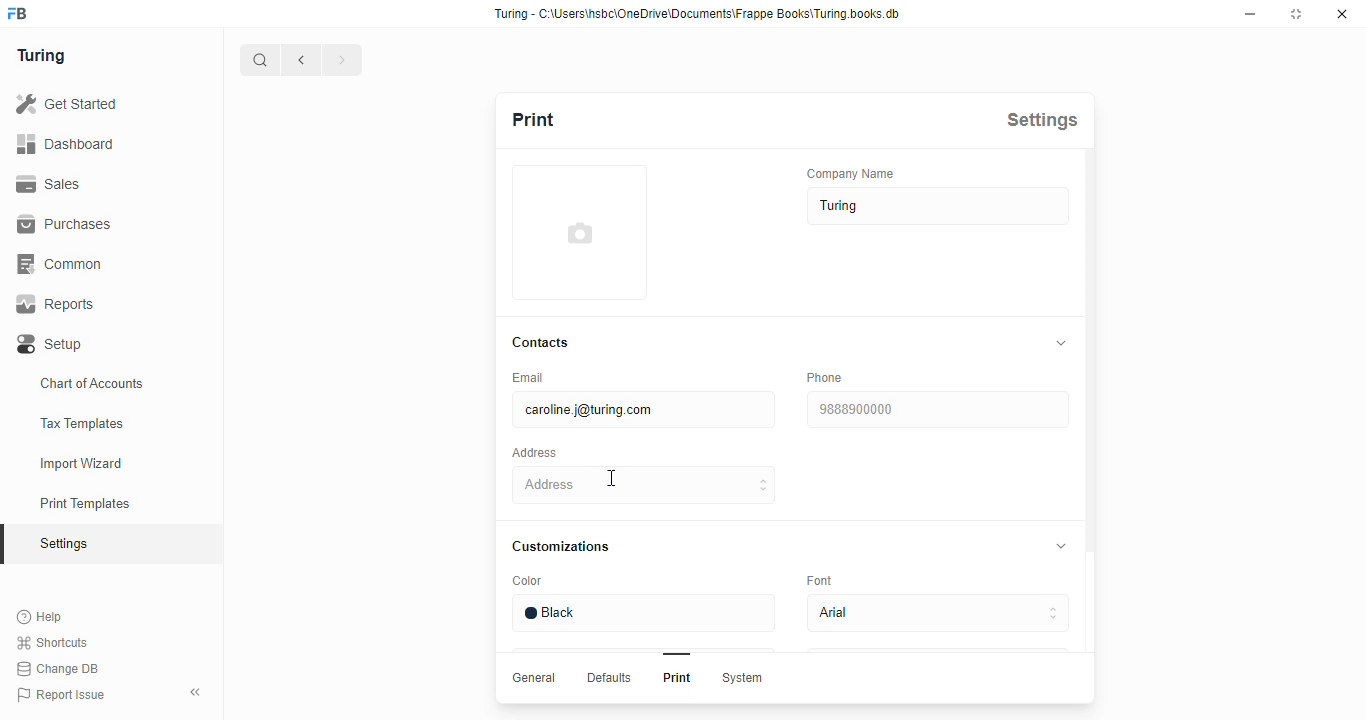 The height and width of the screenshot is (720, 1366). Describe the element at coordinates (17, 13) in the screenshot. I see `FB-logo` at that location.